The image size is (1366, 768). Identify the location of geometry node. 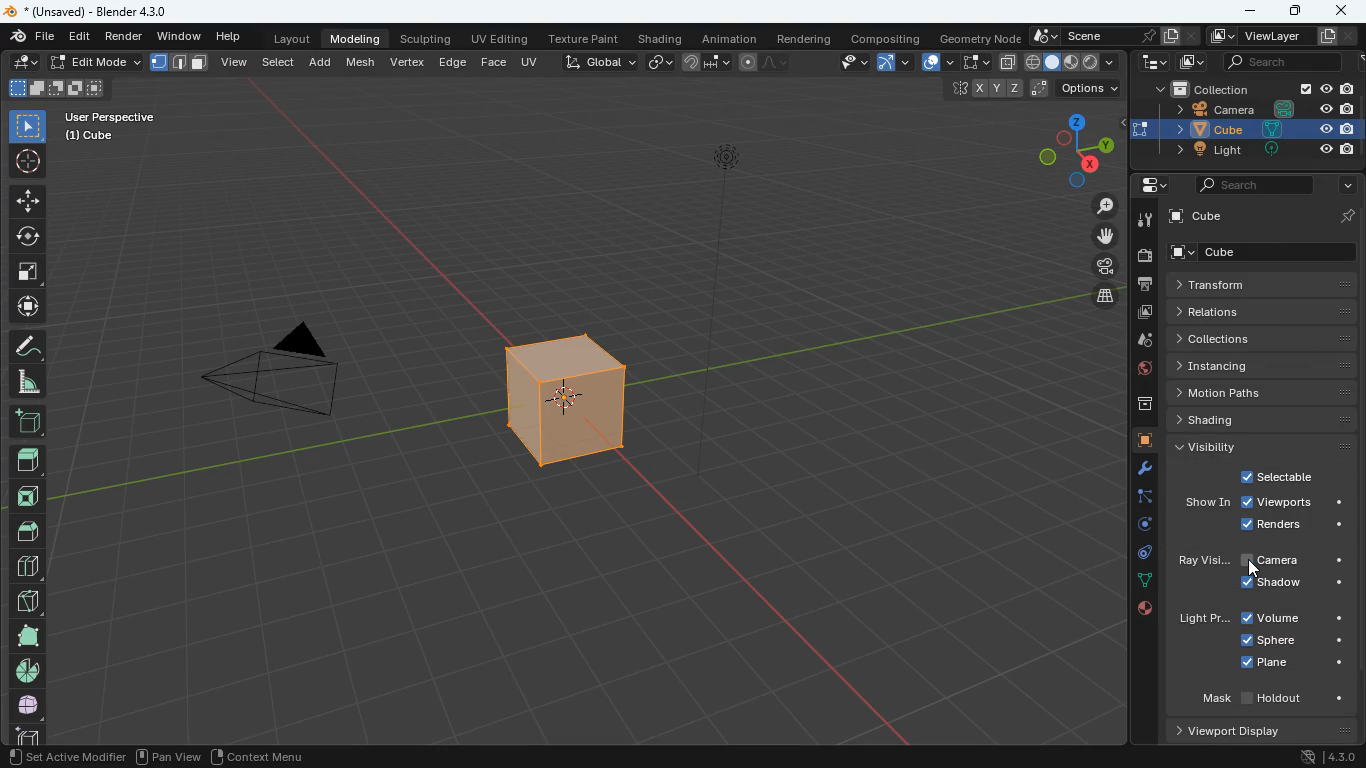
(976, 38).